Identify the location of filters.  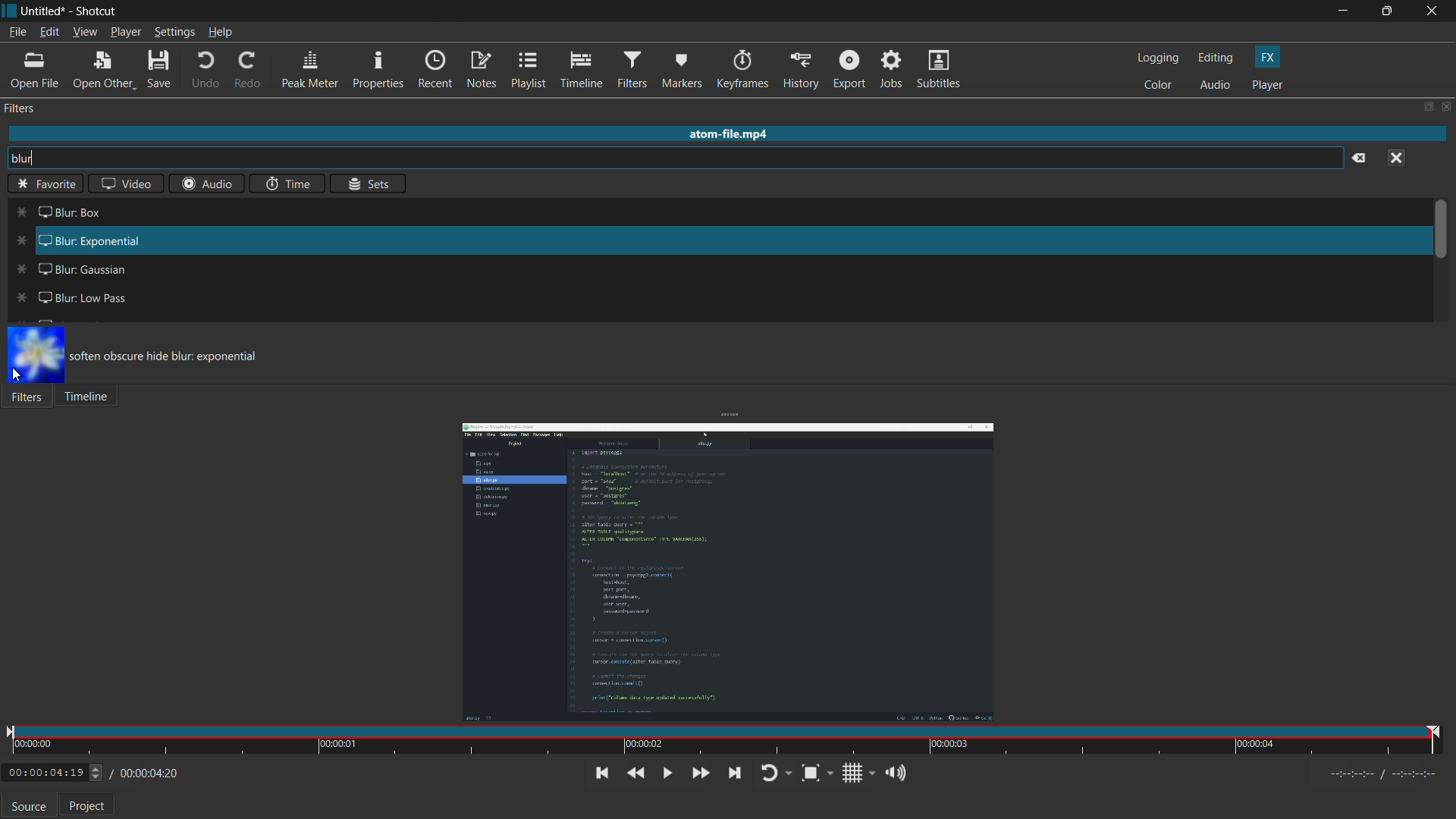
(20, 109).